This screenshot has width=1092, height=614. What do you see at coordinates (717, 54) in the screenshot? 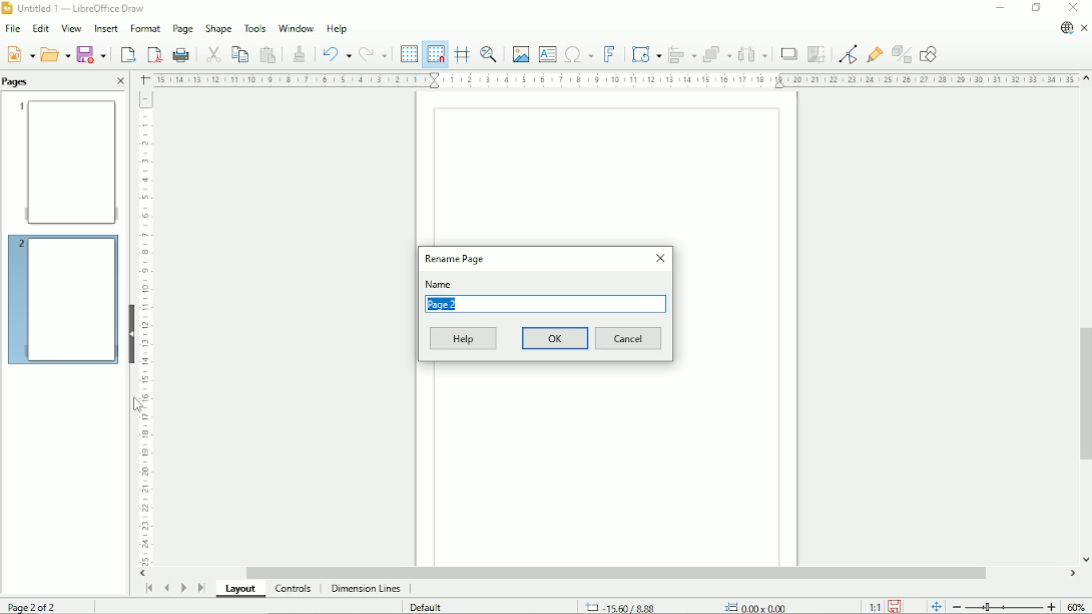
I see `Arrange` at bounding box center [717, 54].